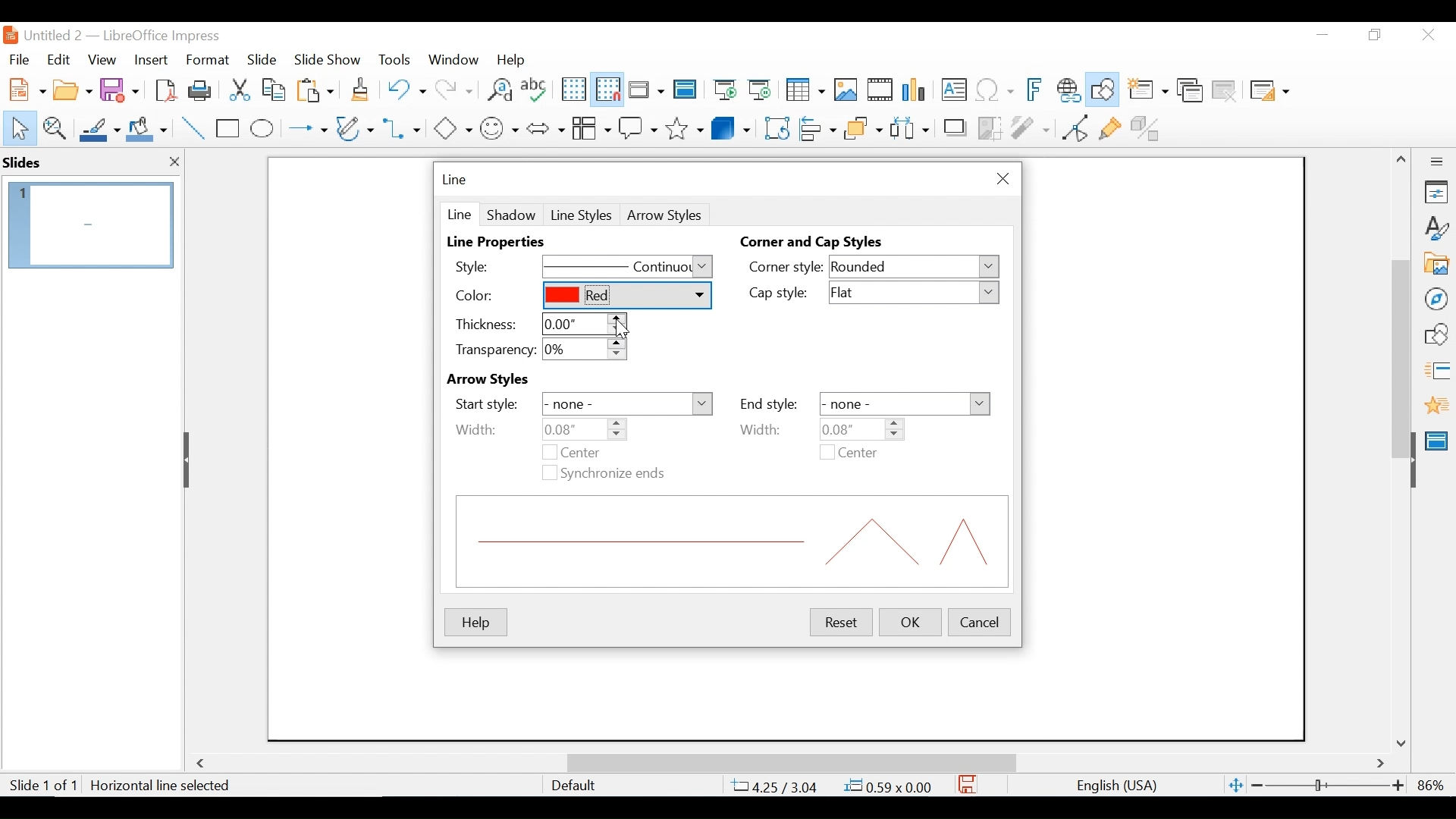 This screenshot has width=1456, height=819. Describe the element at coordinates (194, 129) in the screenshot. I see `Insert Line` at that location.